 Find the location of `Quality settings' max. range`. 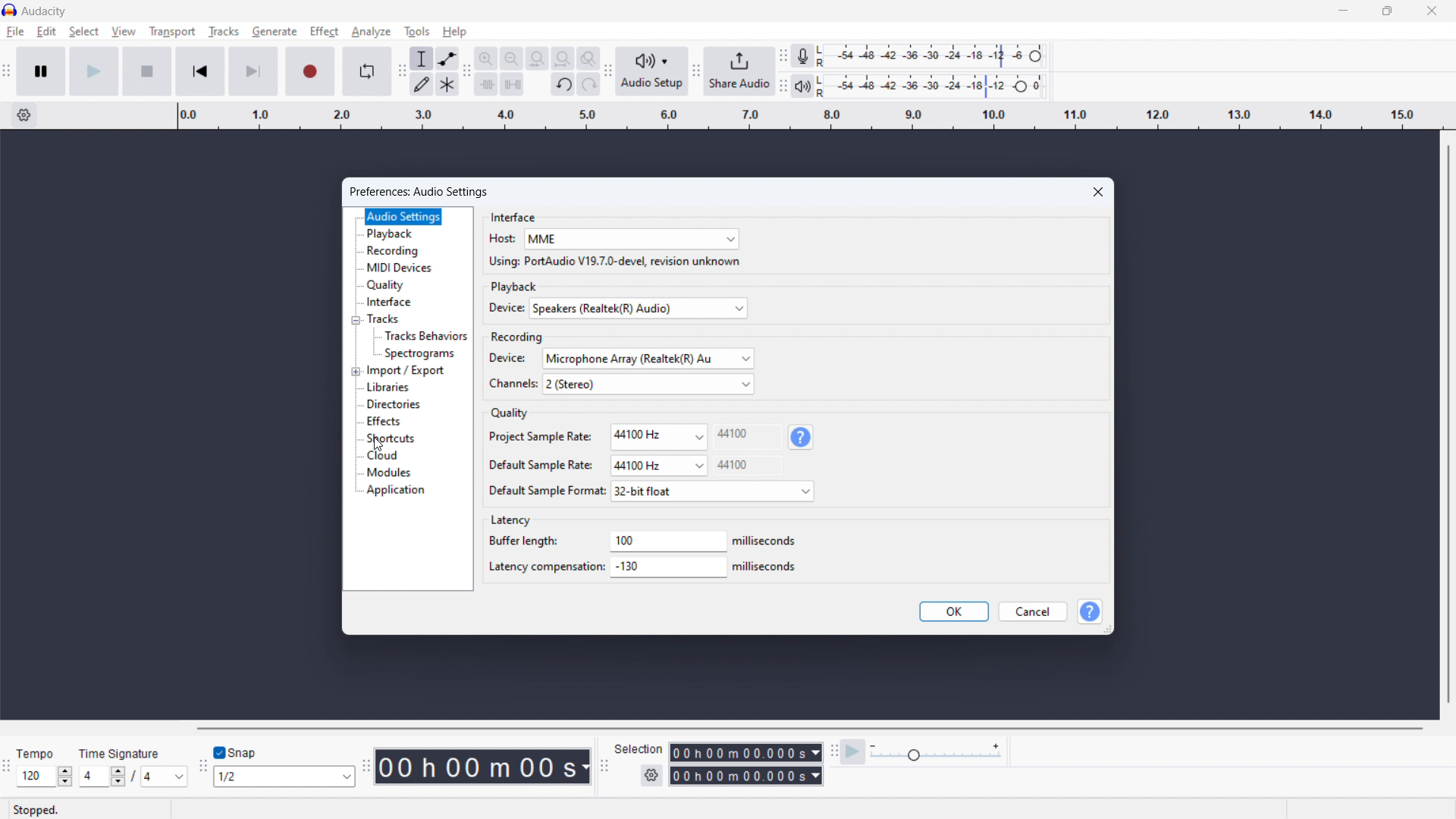

Quality settings' max. range is located at coordinates (733, 450).